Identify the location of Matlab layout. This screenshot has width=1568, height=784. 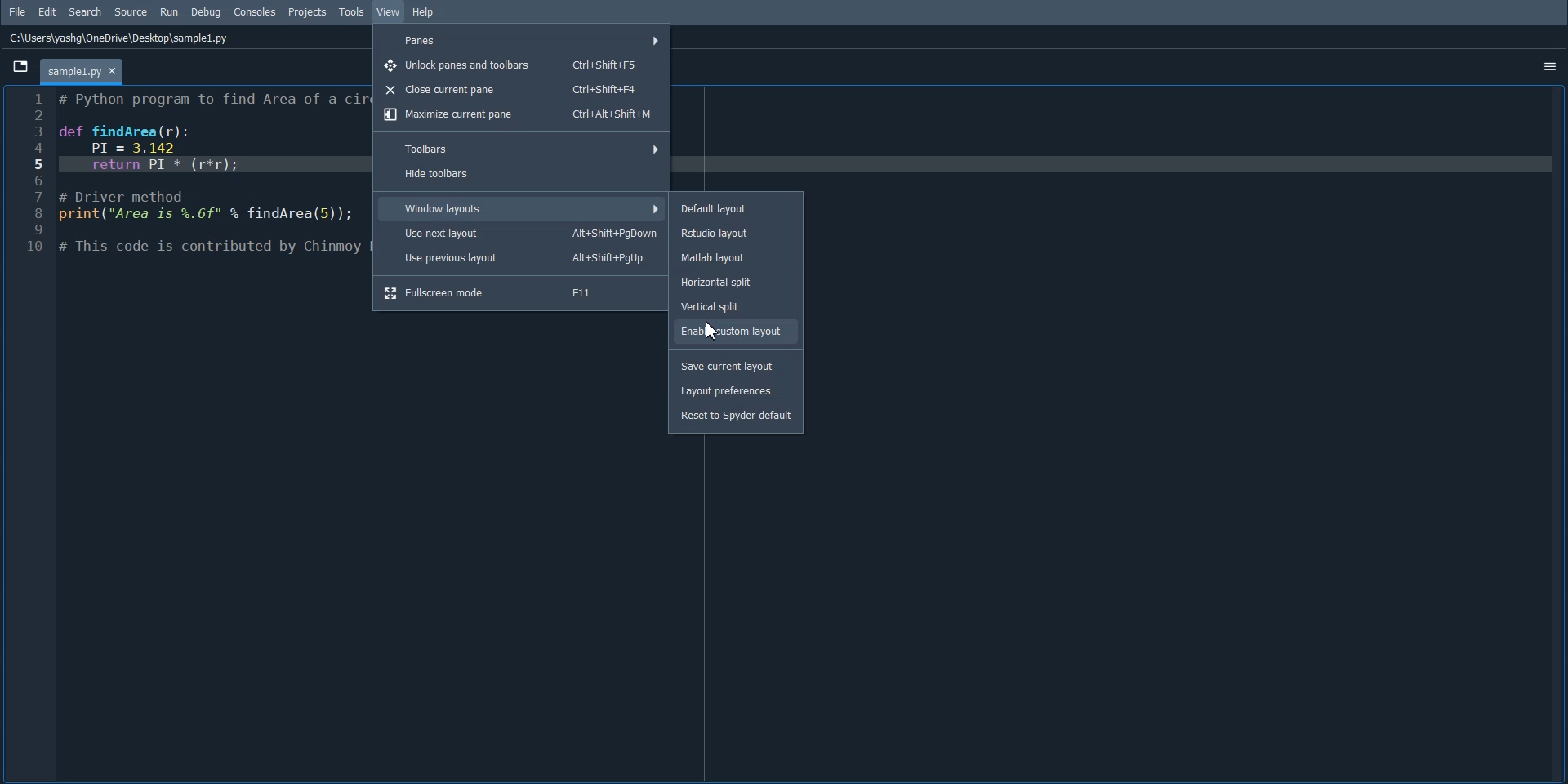
(736, 257).